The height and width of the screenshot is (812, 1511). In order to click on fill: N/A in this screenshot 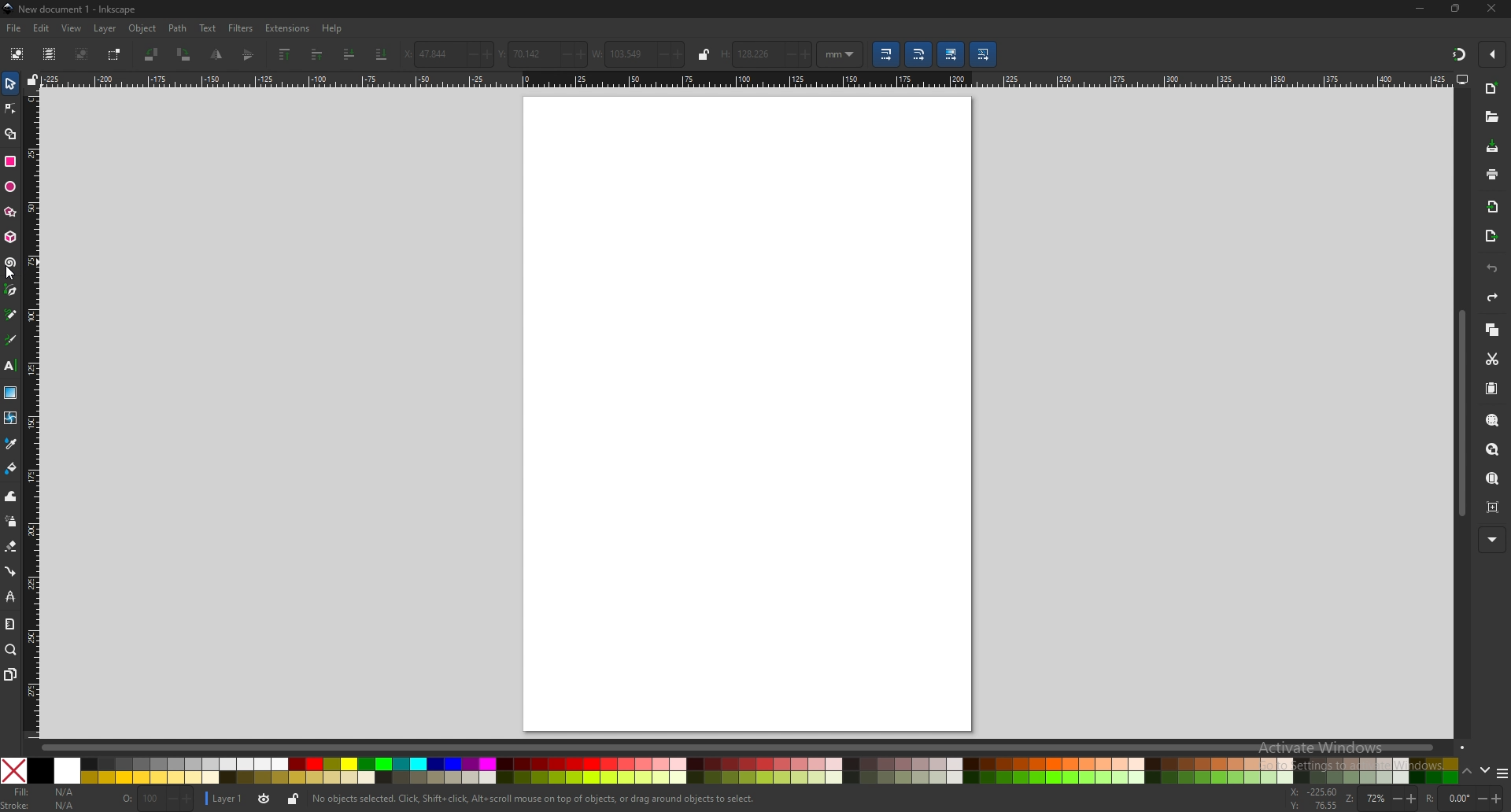, I will do `click(47, 791)`.